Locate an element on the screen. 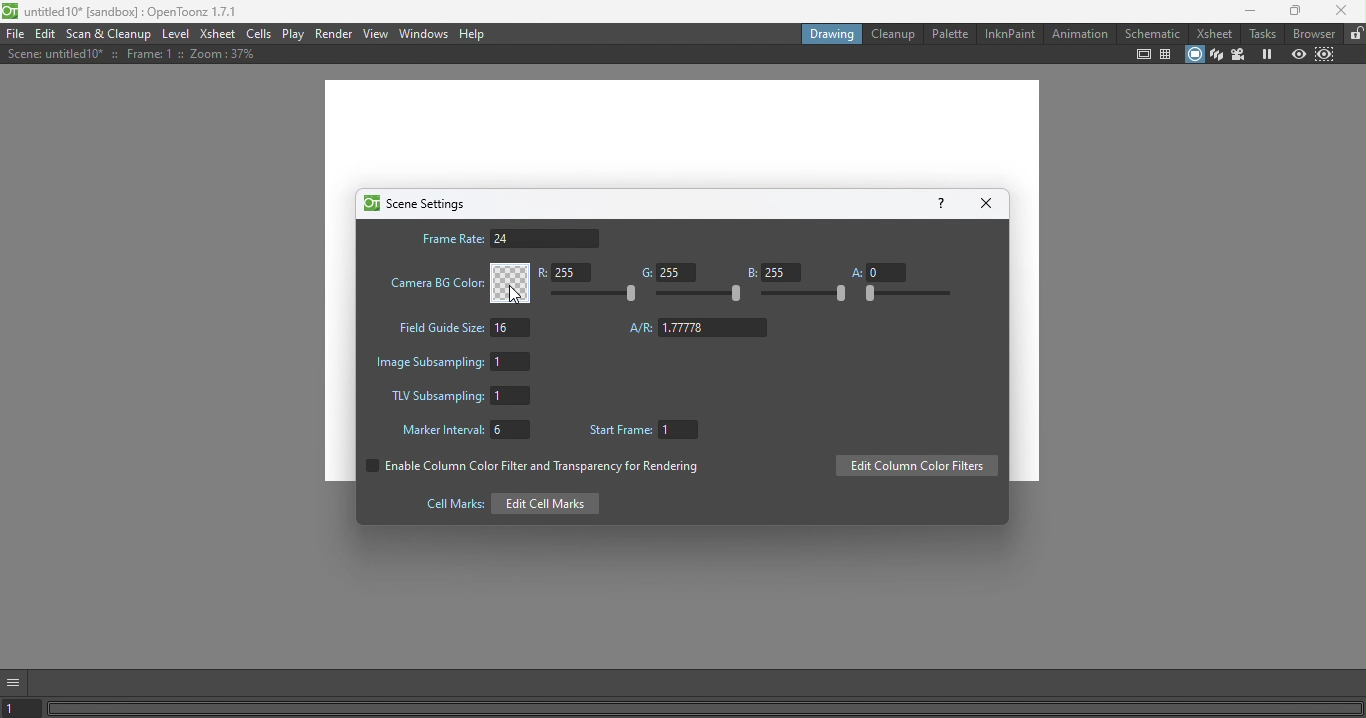  Slide bar is located at coordinates (700, 295).